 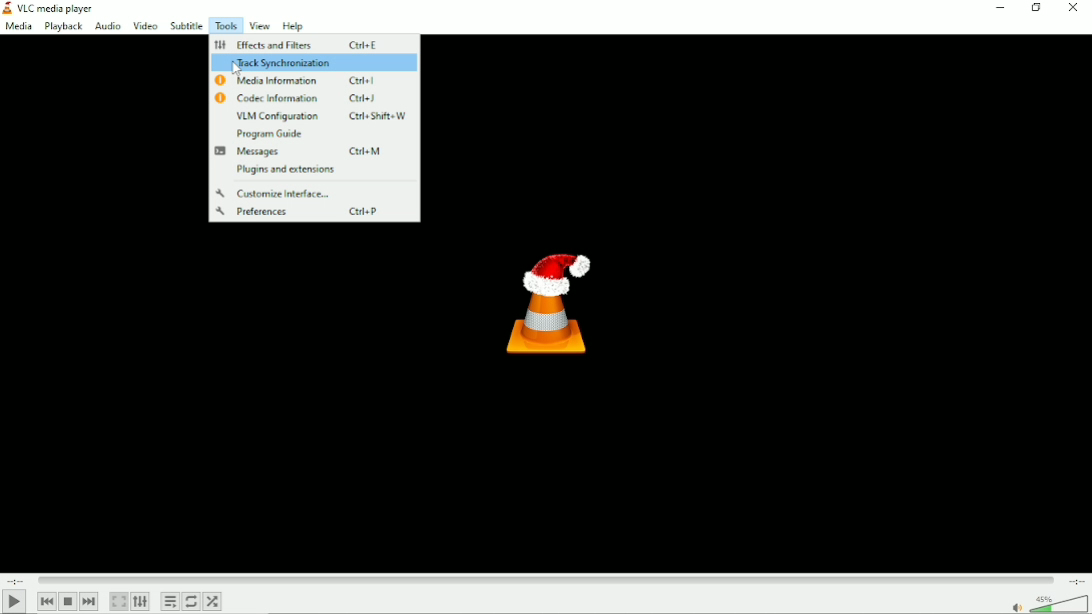 What do you see at coordinates (186, 25) in the screenshot?
I see `Subtitle` at bounding box center [186, 25].